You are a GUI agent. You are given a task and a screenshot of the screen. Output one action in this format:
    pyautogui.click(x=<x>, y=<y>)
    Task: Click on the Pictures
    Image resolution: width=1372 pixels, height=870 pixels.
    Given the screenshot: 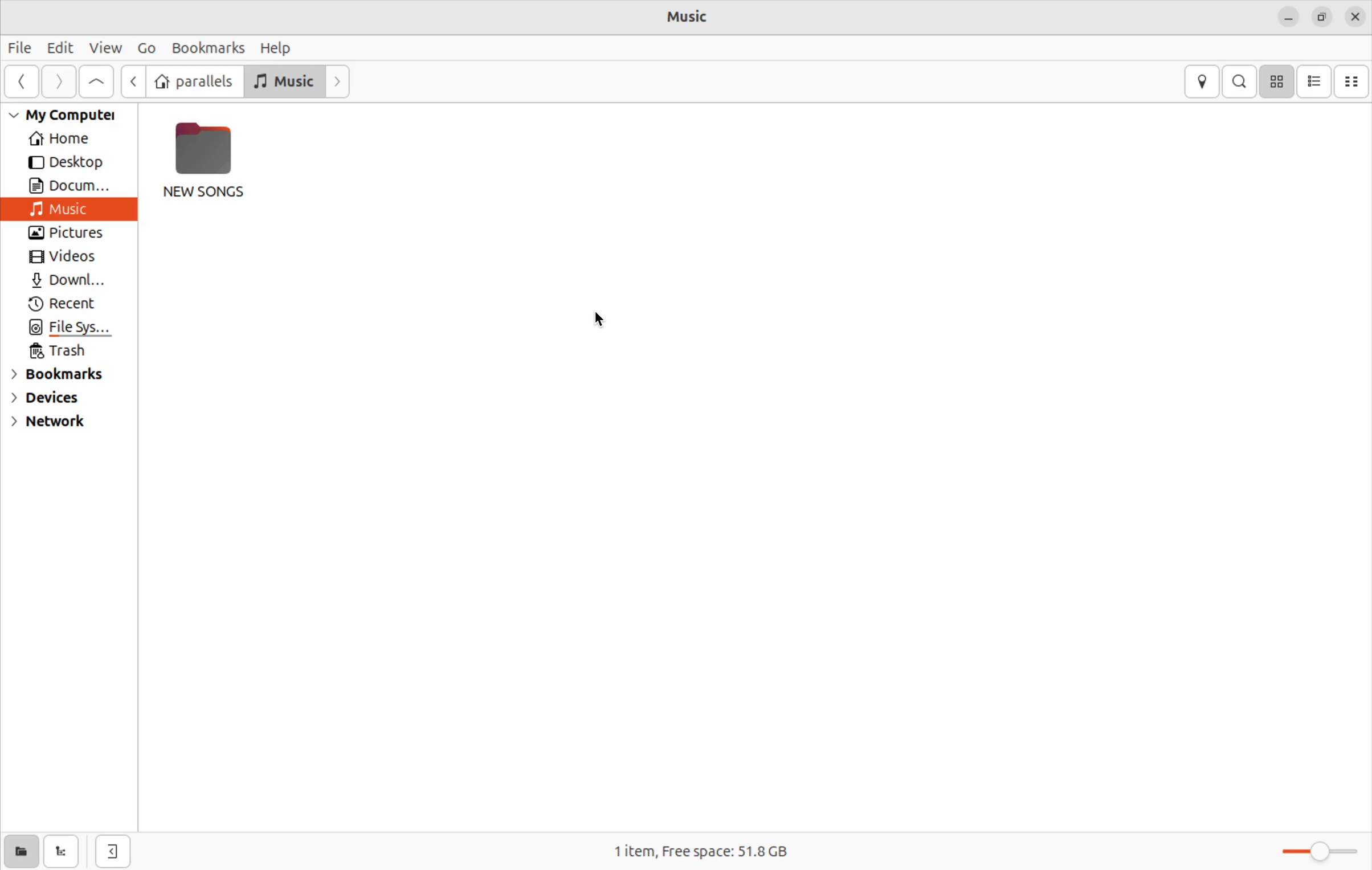 What is the action you would take?
    pyautogui.click(x=72, y=232)
    